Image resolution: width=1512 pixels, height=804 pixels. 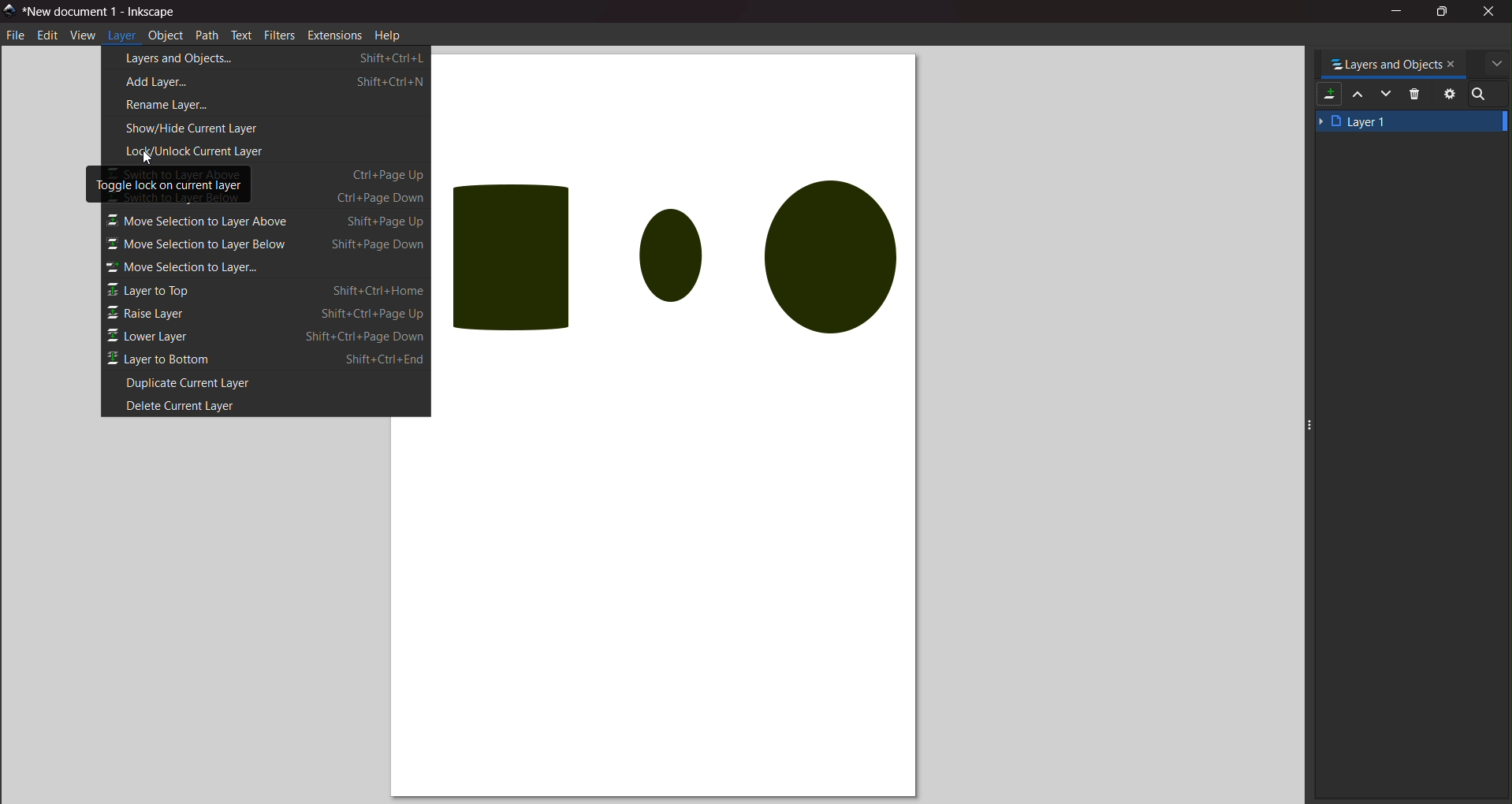 What do you see at coordinates (1488, 13) in the screenshot?
I see `close` at bounding box center [1488, 13].